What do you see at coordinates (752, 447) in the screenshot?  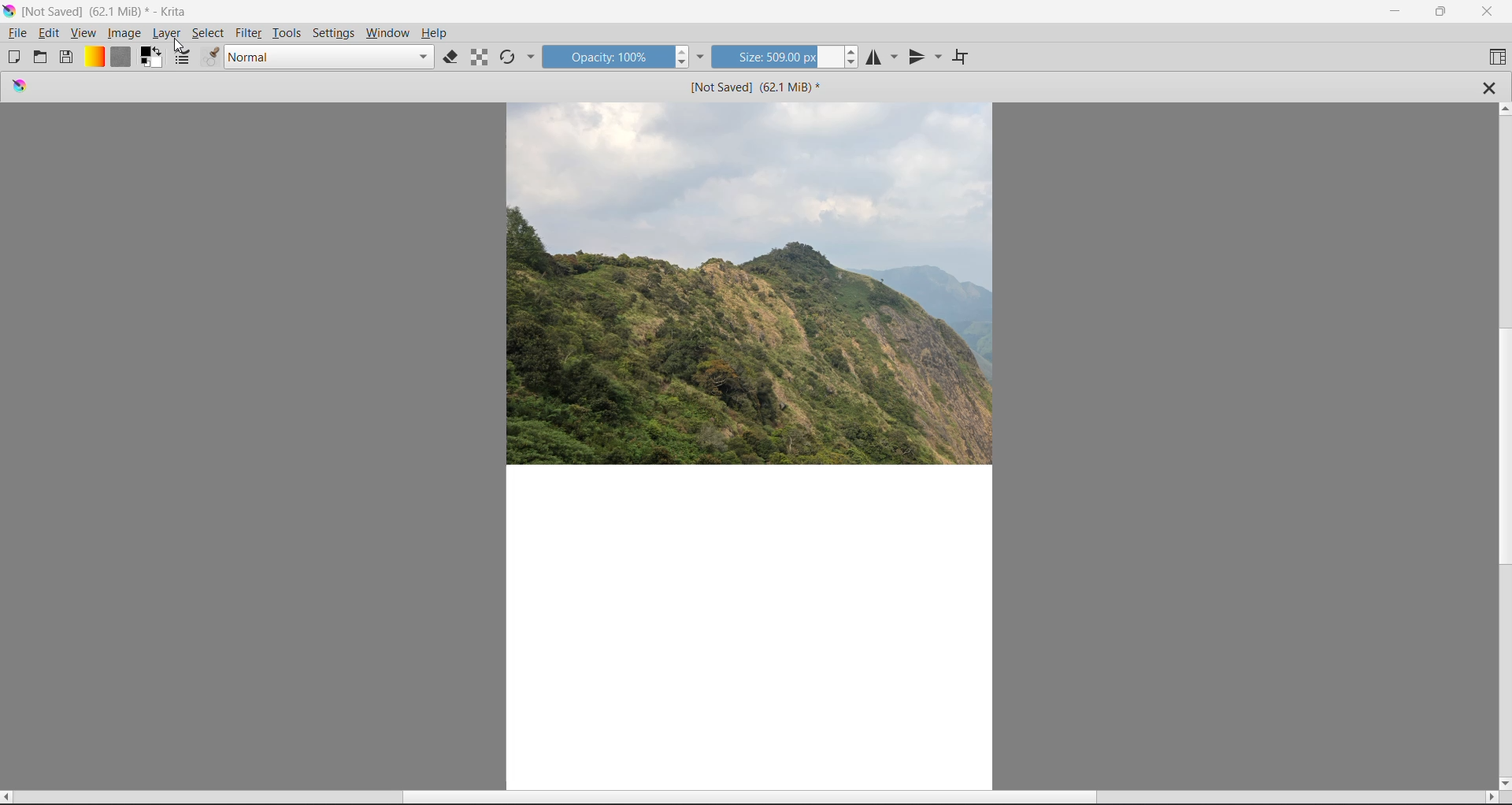 I see `Canvas with an Image Layer ` at bounding box center [752, 447].